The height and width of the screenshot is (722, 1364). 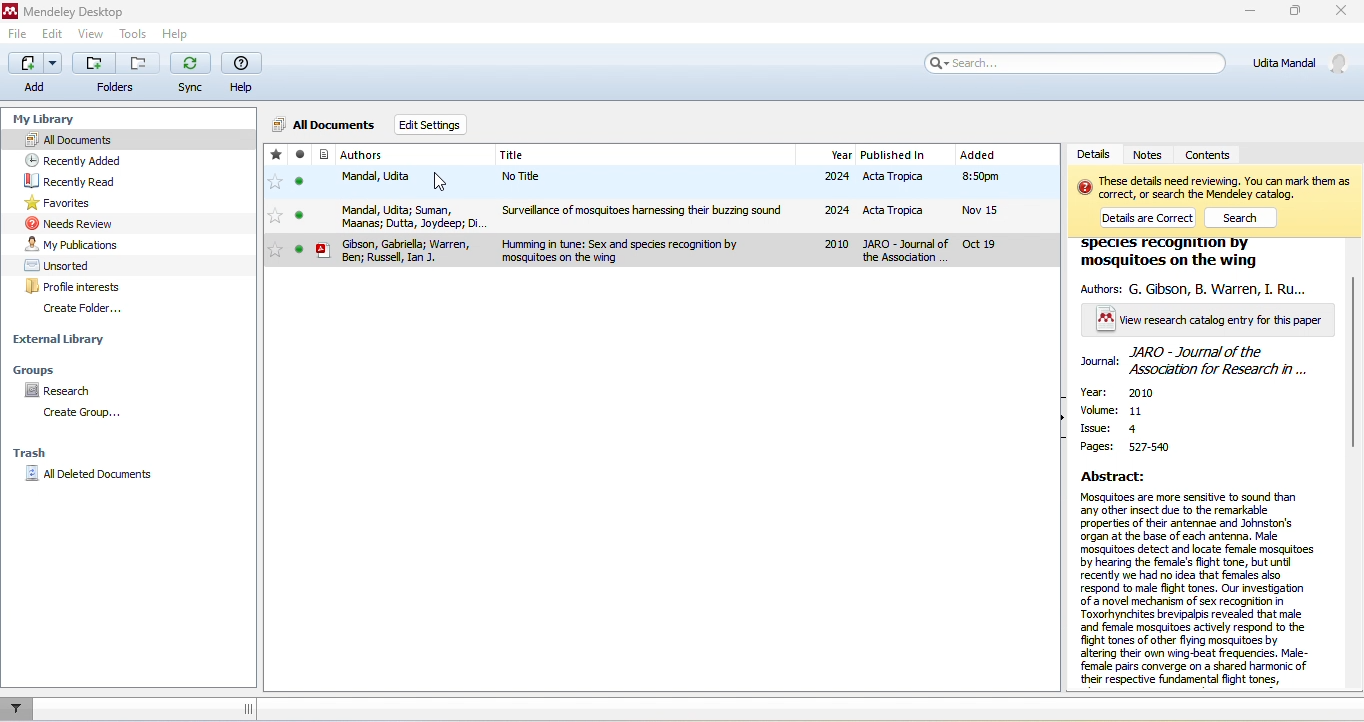 What do you see at coordinates (54, 35) in the screenshot?
I see `edit` at bounding box center [54, 35].